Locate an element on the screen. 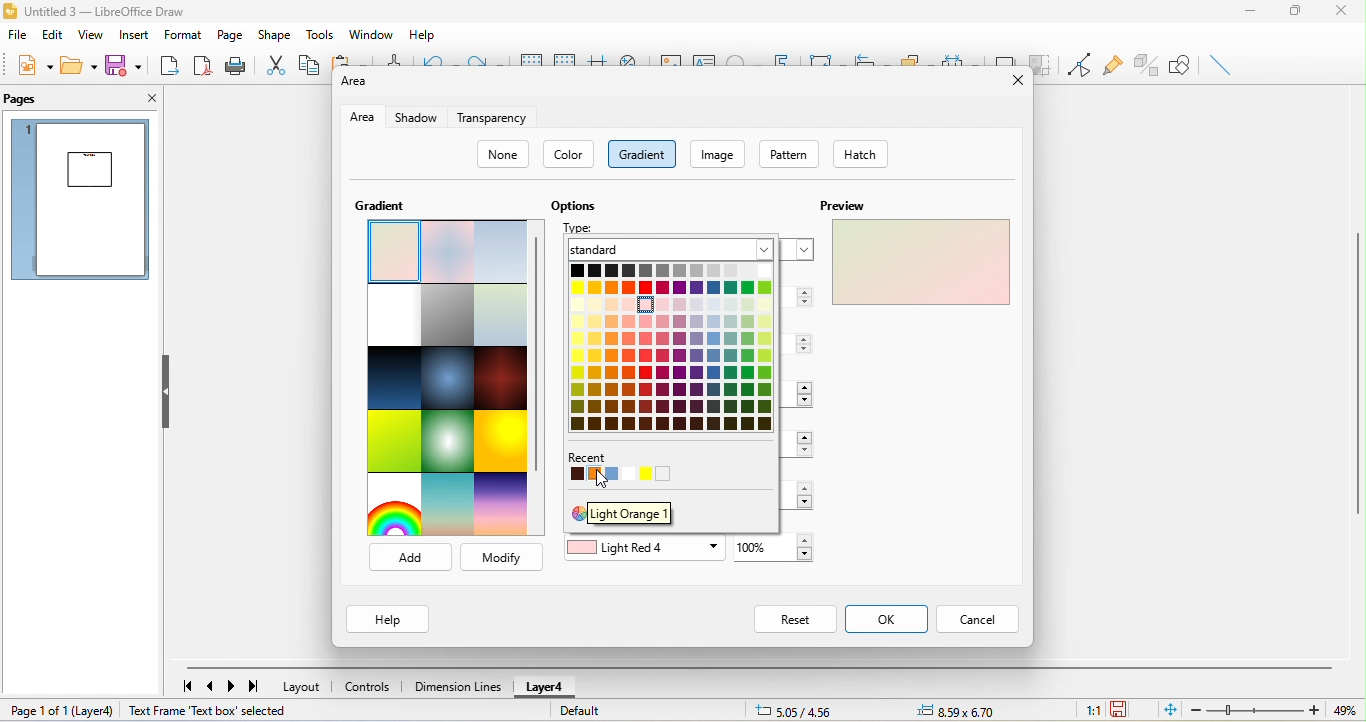 The height and width of the screenshot is (722, 1366). text frame text box selected is located at coordinates (210, 710).